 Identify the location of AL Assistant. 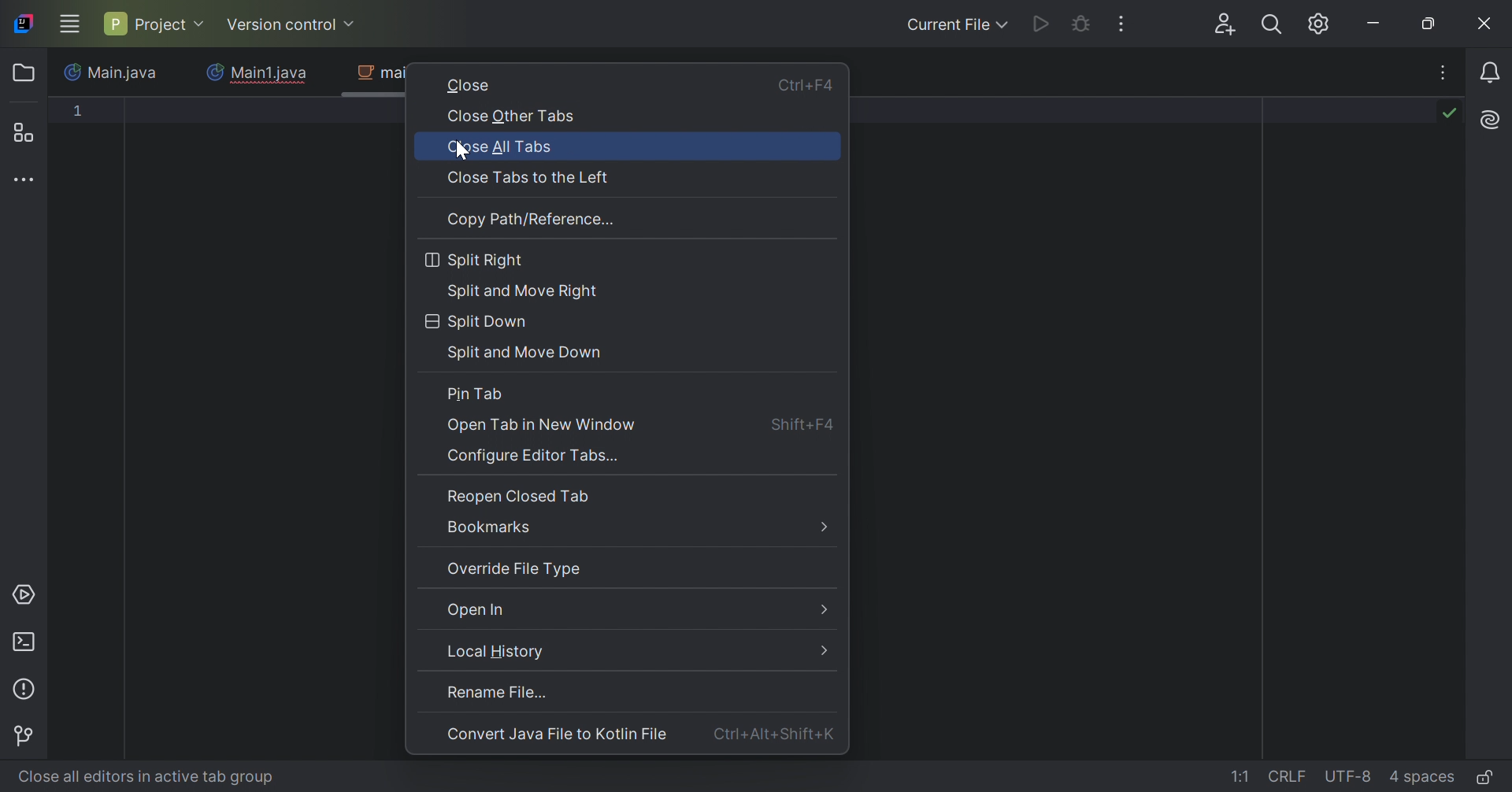
(1493, 120).